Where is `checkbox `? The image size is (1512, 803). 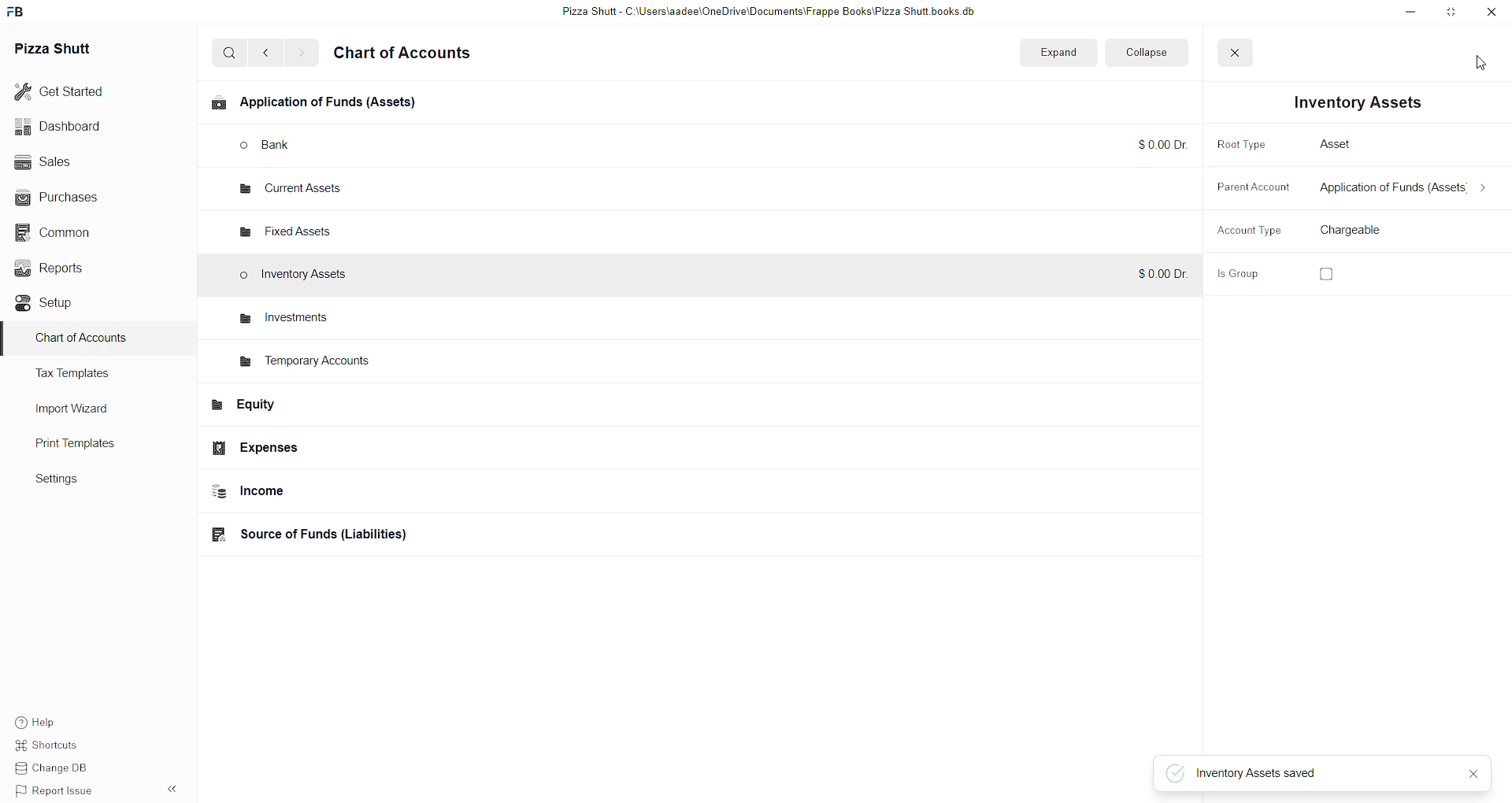
checkbox  is located at coordinates (1327, 274).